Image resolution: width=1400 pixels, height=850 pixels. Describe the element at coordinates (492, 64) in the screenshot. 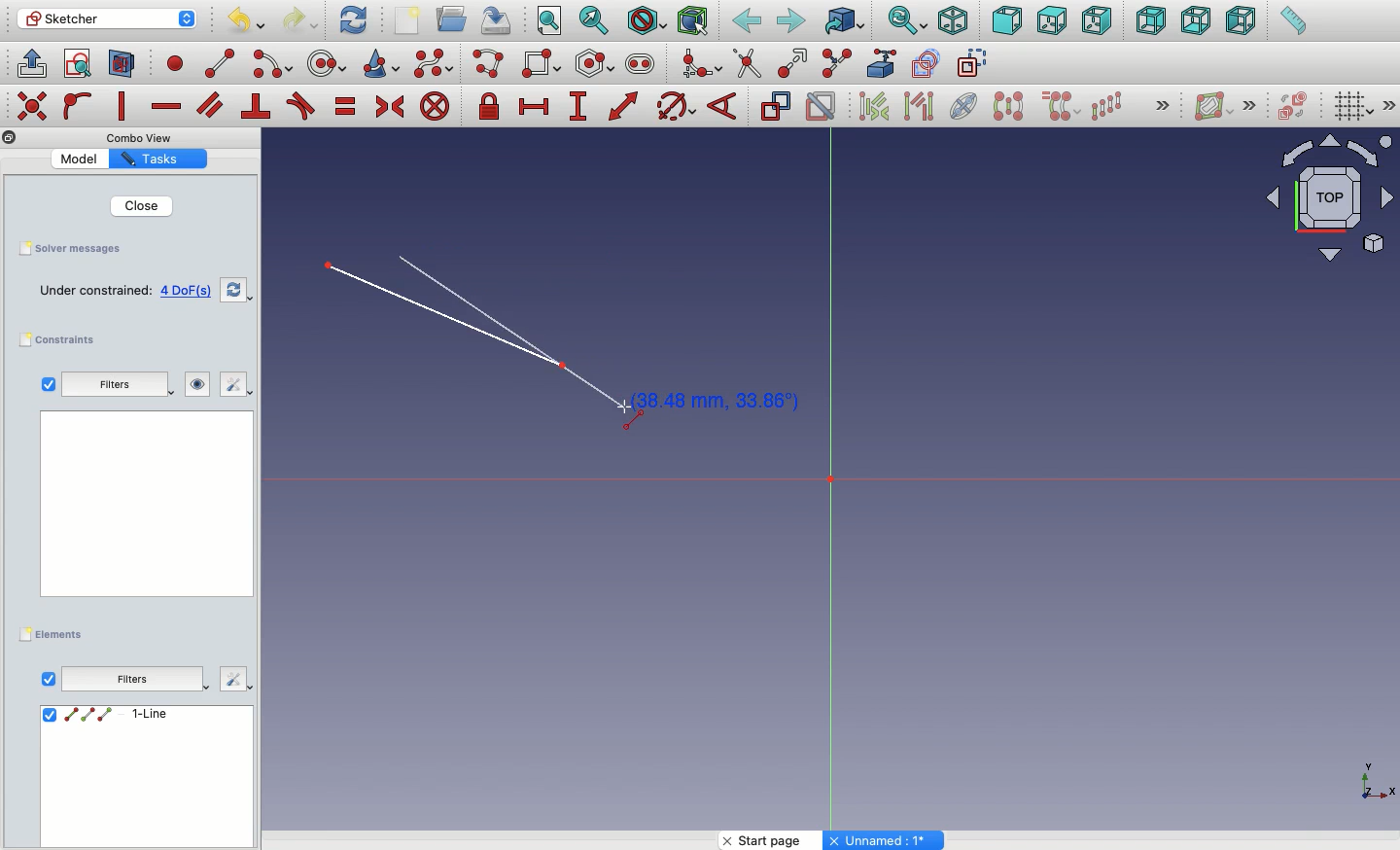

I see `Polyline` at that location.